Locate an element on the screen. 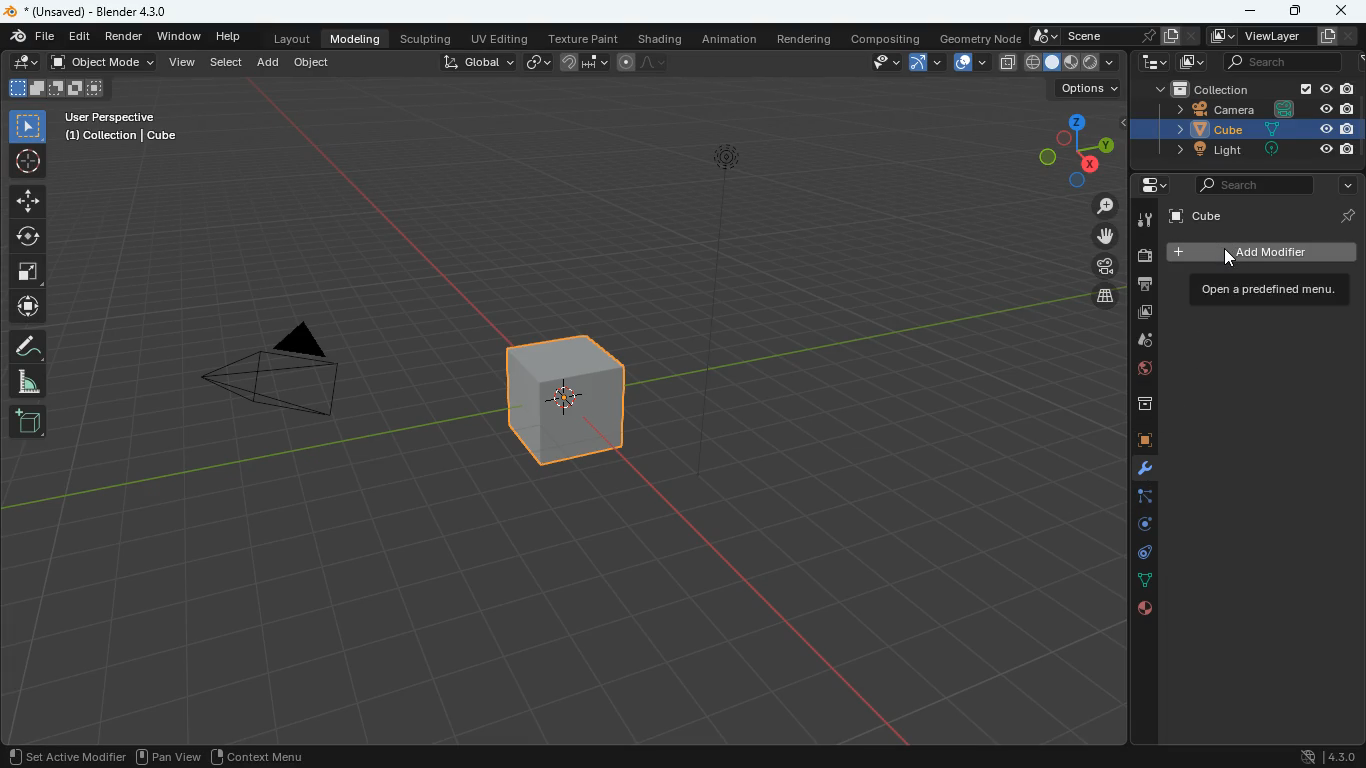 The height and width of the screenshot is (768, 1366). collection is located at coordinates (1199, 87).